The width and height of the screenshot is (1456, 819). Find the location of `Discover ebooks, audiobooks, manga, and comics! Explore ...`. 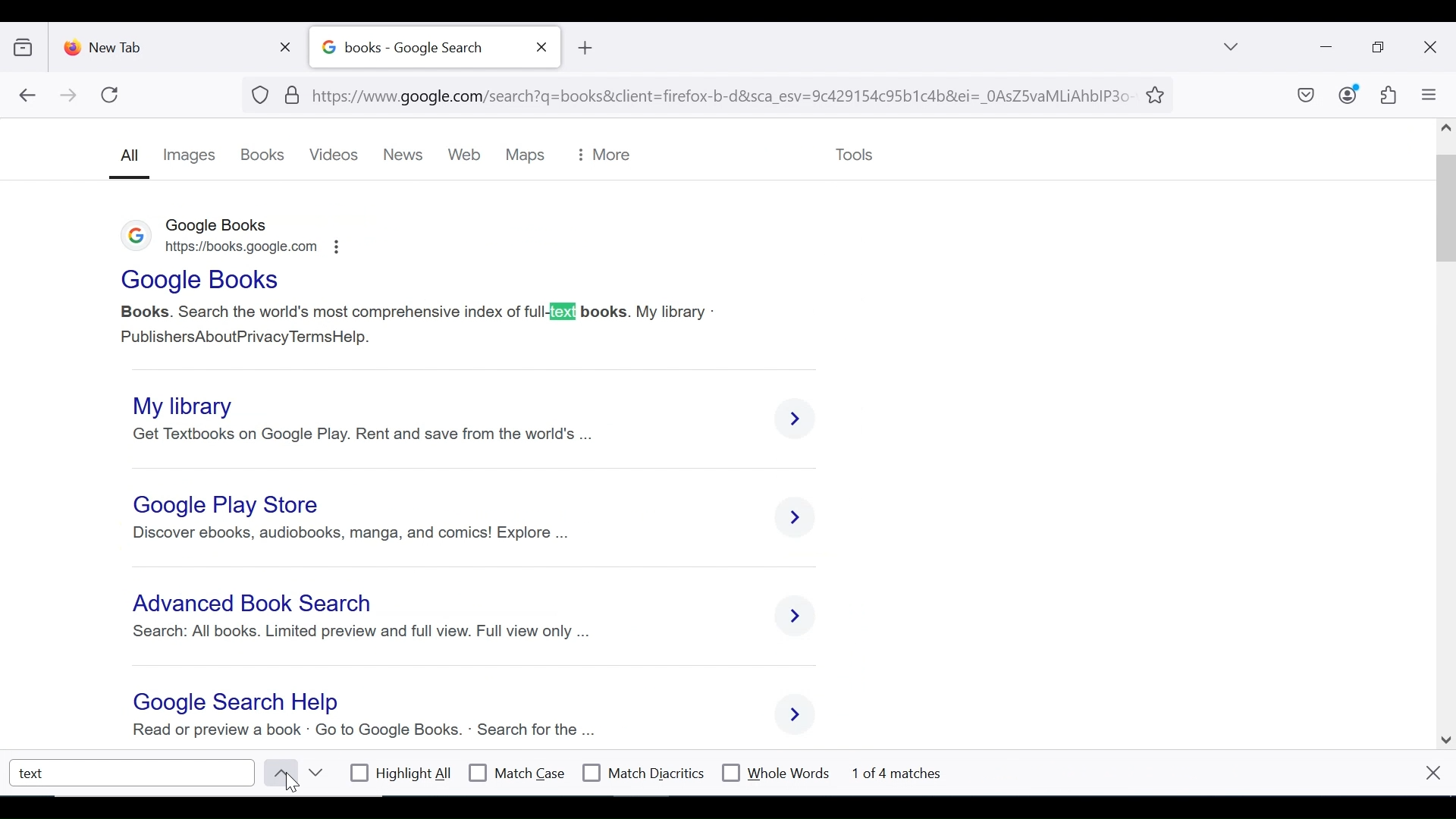

Discover ebooks, audiobooks, manga, and comics! Explore ... is located at coordinates (350, 533).